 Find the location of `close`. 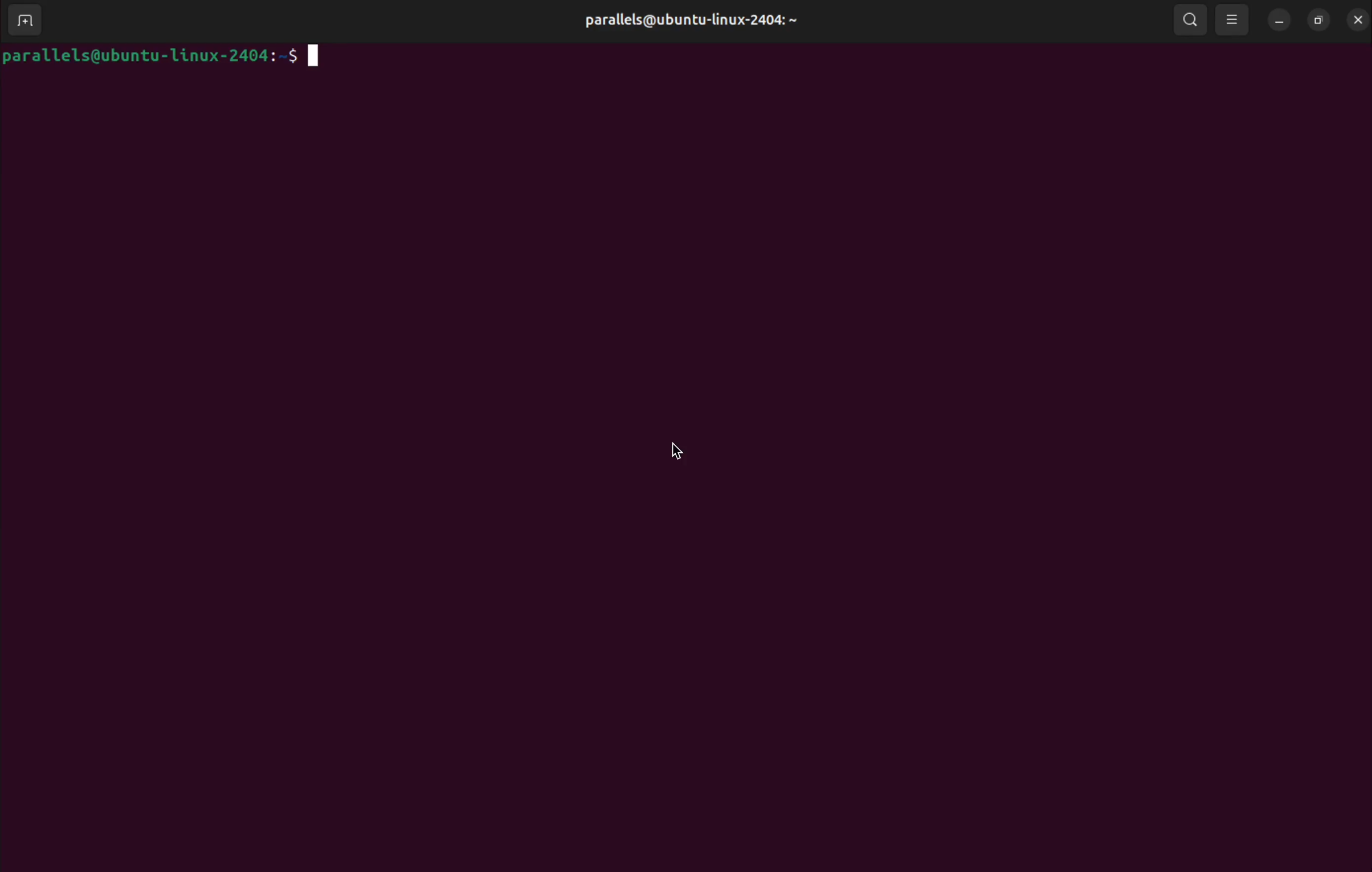

close is located at coordinates (1356, 19).